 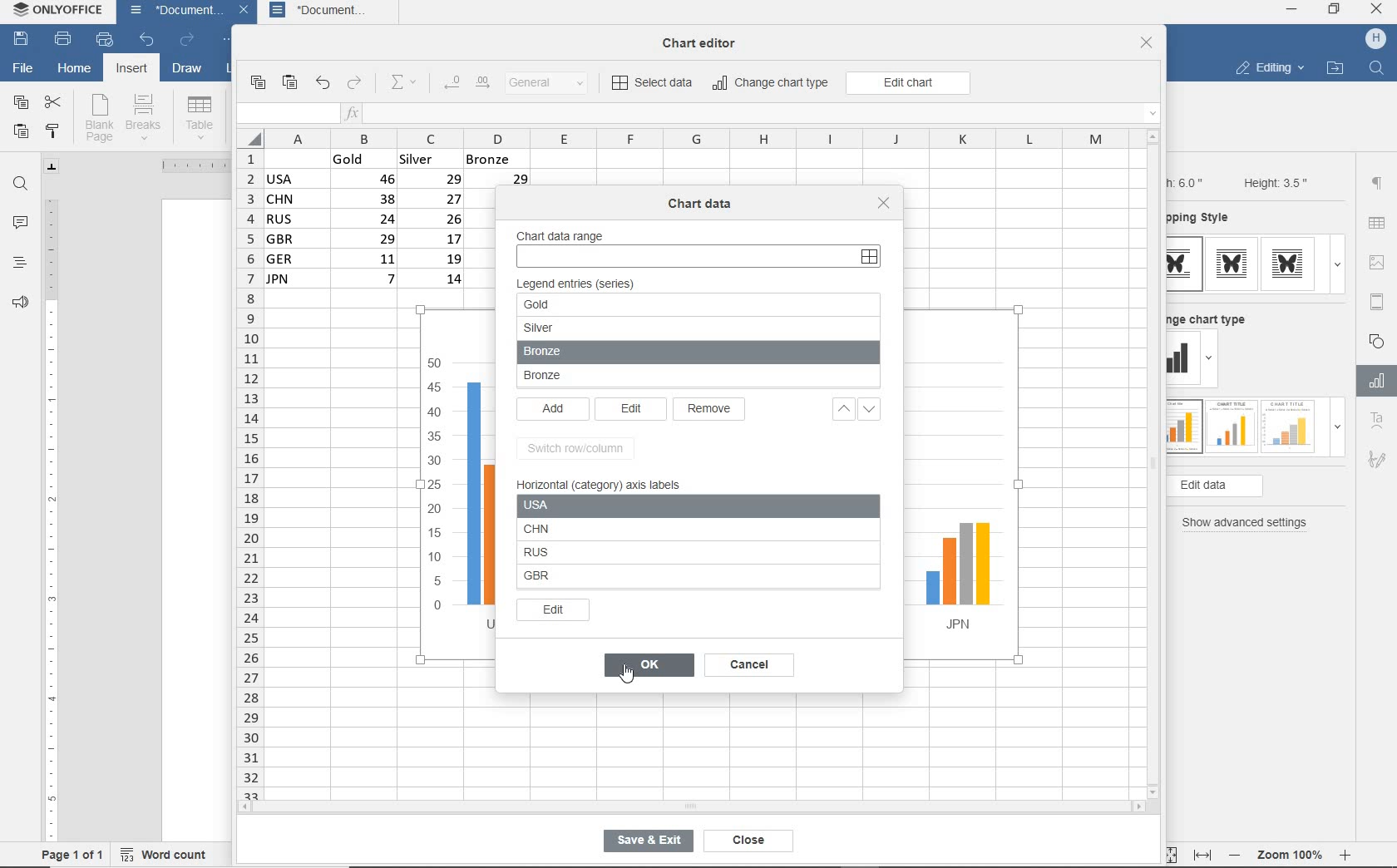 What do you see at coordinates (1213, 317) in the screenshot?
I see `change chart type` at bounding box center [1213, 317].